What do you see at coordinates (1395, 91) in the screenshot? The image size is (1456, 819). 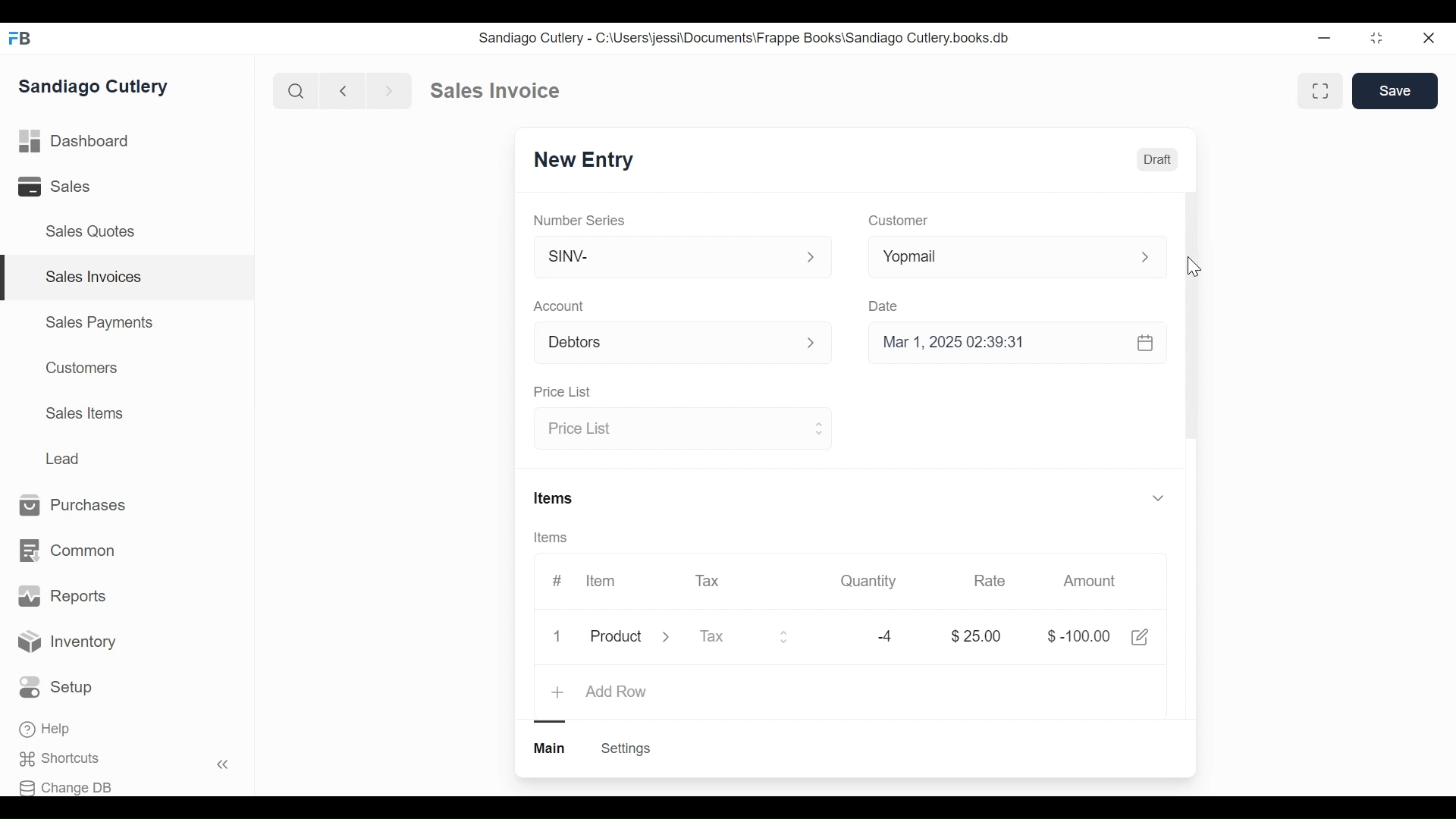 I see `Save` at bounding box center [1395, 91].